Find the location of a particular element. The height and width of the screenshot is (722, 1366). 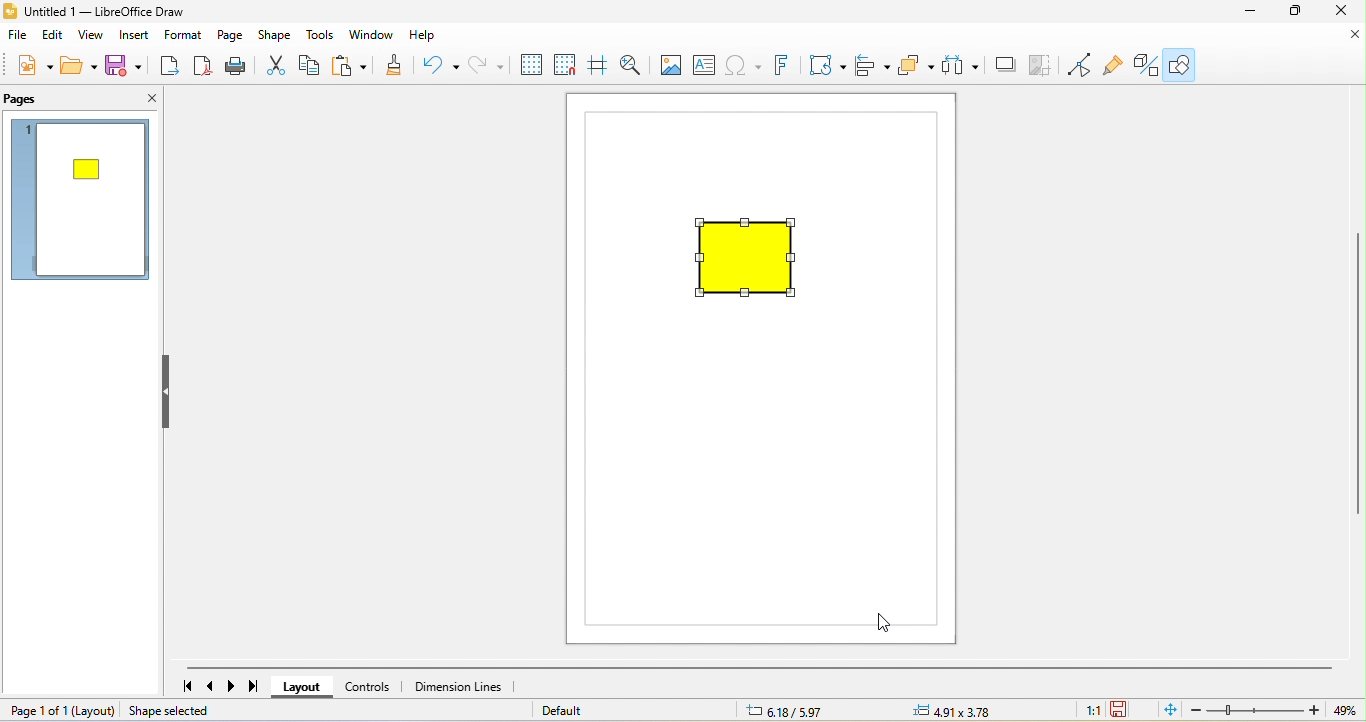

open is located at coordinates (82, 64).